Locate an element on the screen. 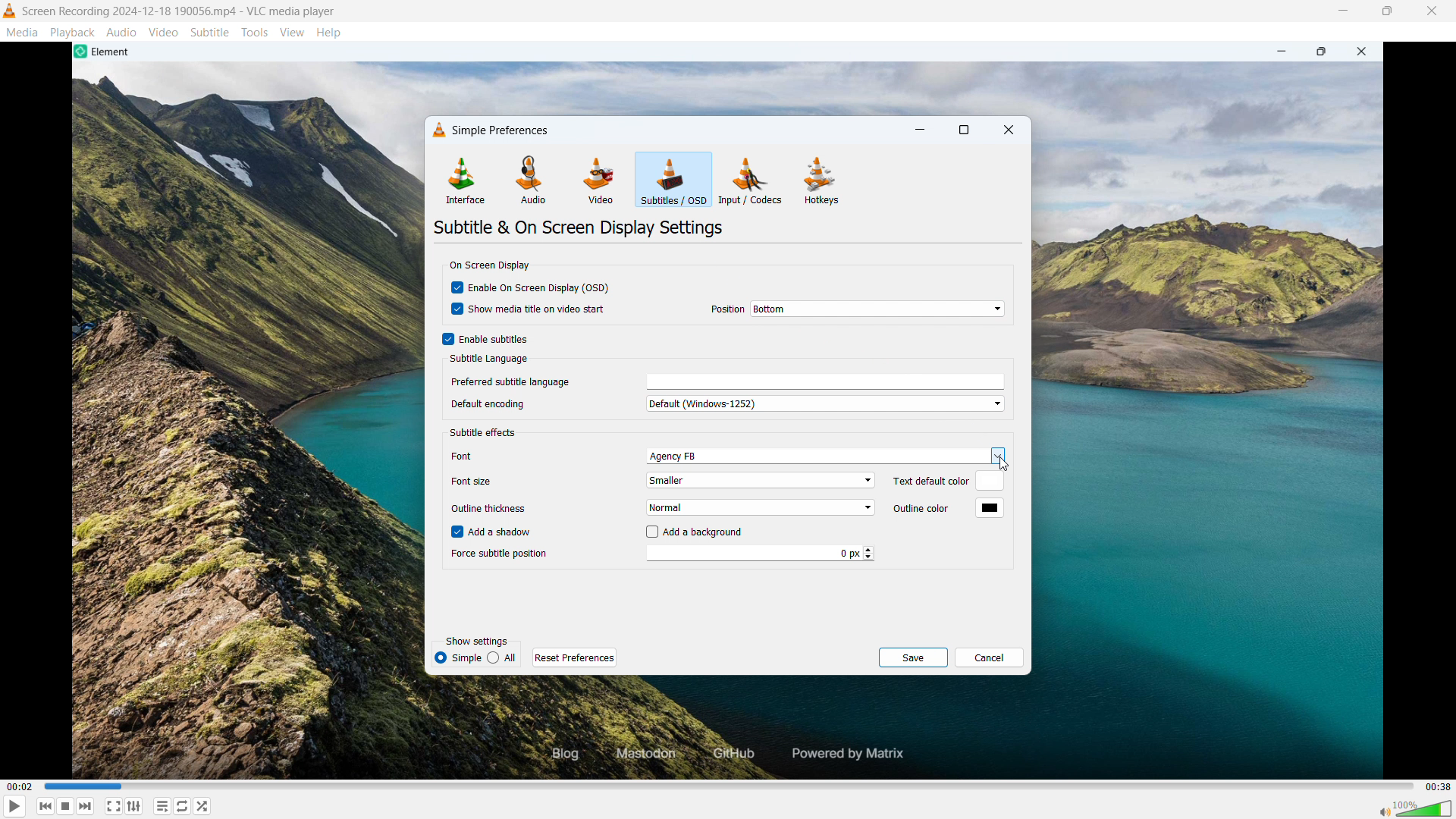  toggle playlist is located at coordinates (162, 805).